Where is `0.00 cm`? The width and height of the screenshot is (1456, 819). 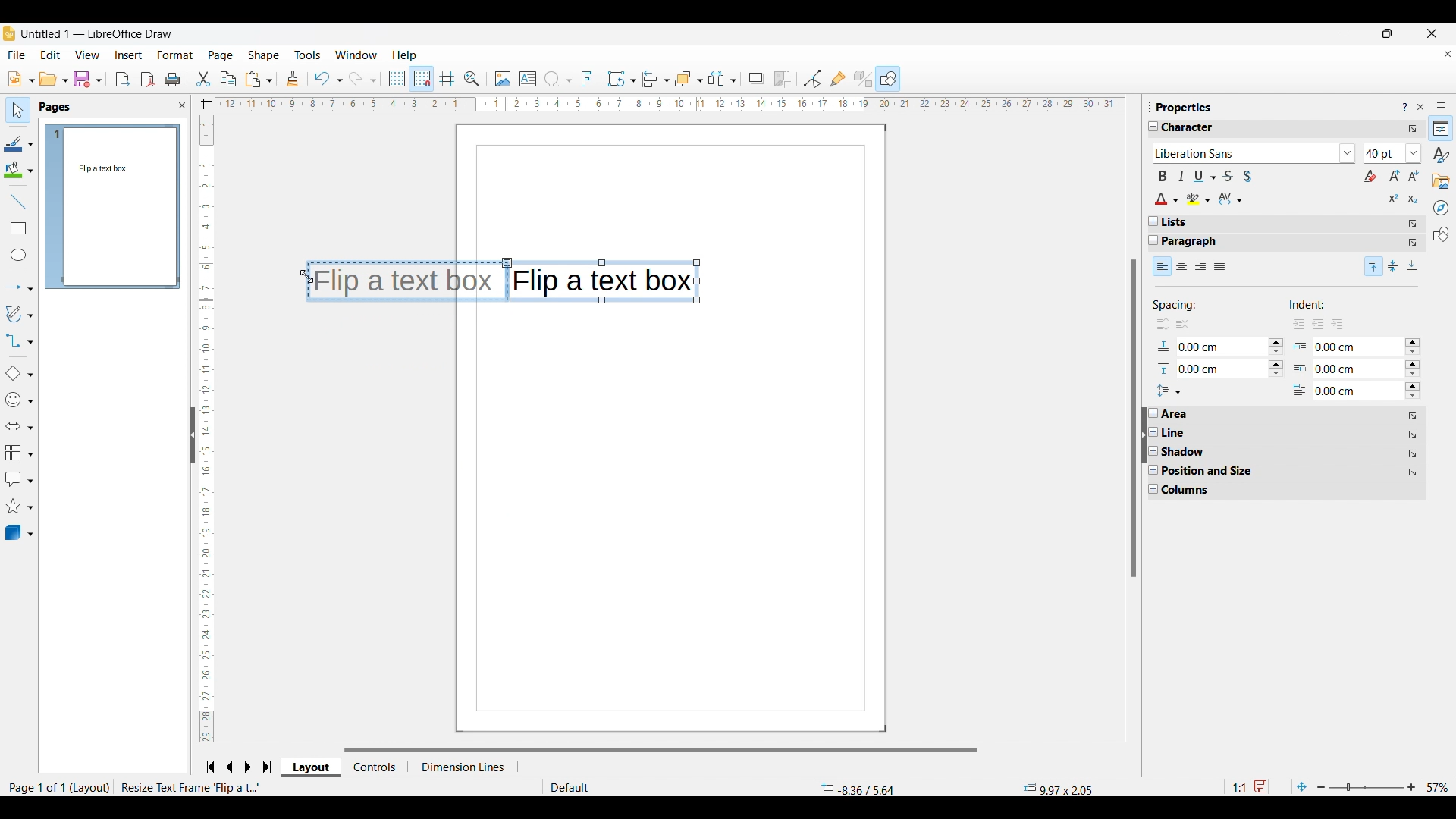 0.00 cm is located at coordinates (1220, 345).